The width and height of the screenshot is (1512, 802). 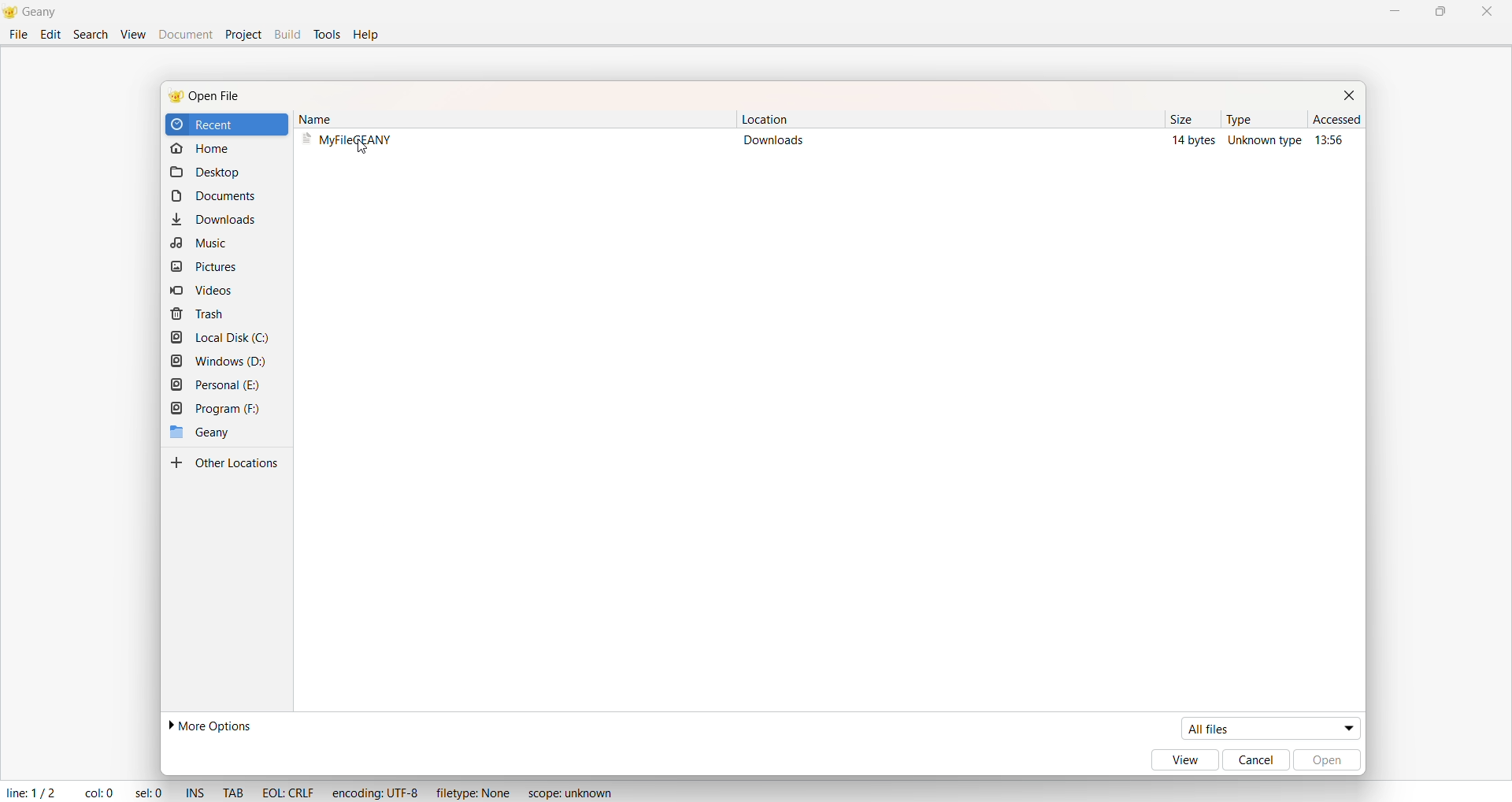 I want to click on Scope: unknown, so click(x=569, y=794).